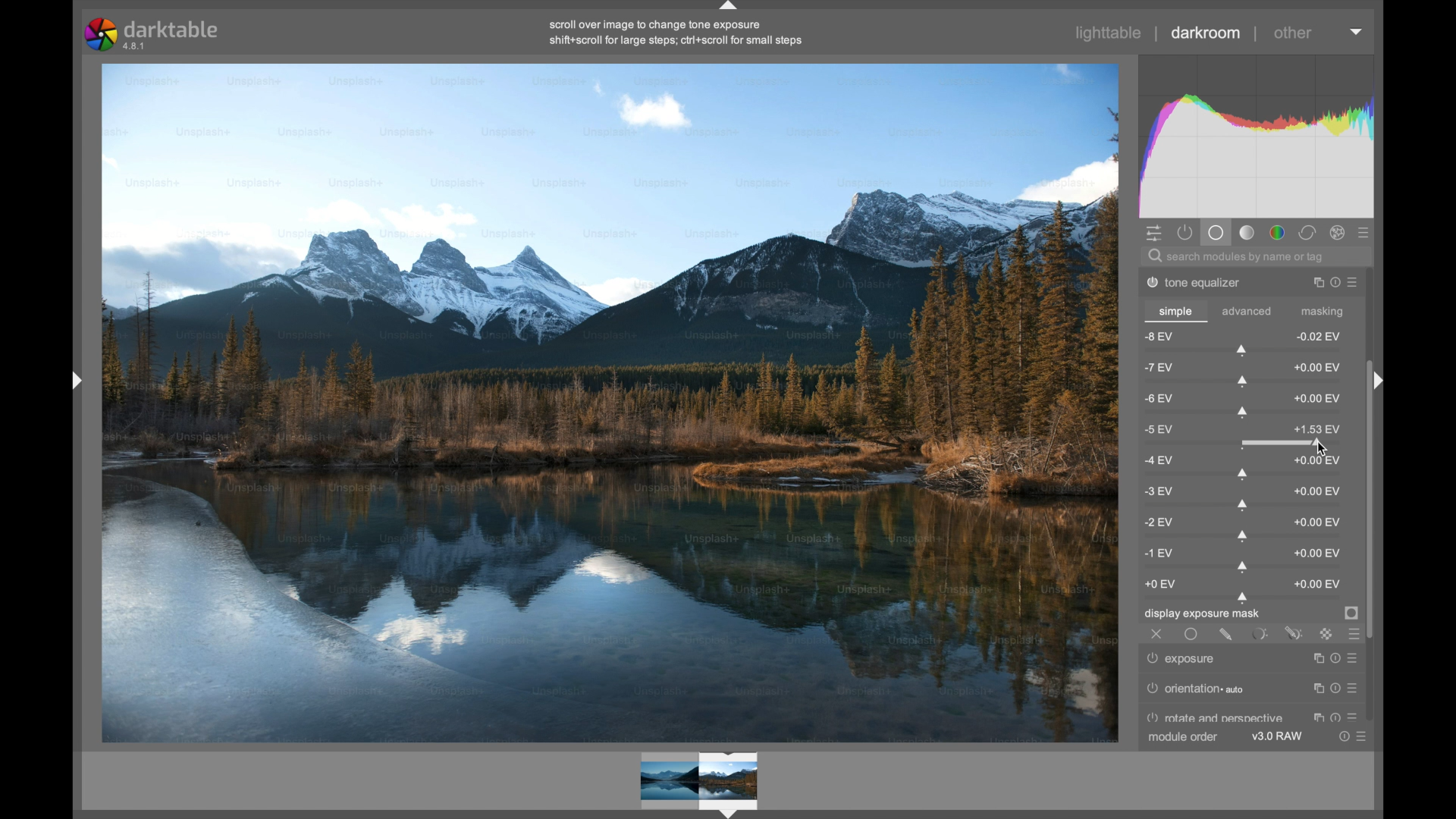 The image size is (1456, 819). Describe the element at coordinates (1317, 585) in the screenshot. I see `0.00 ev` at that location.